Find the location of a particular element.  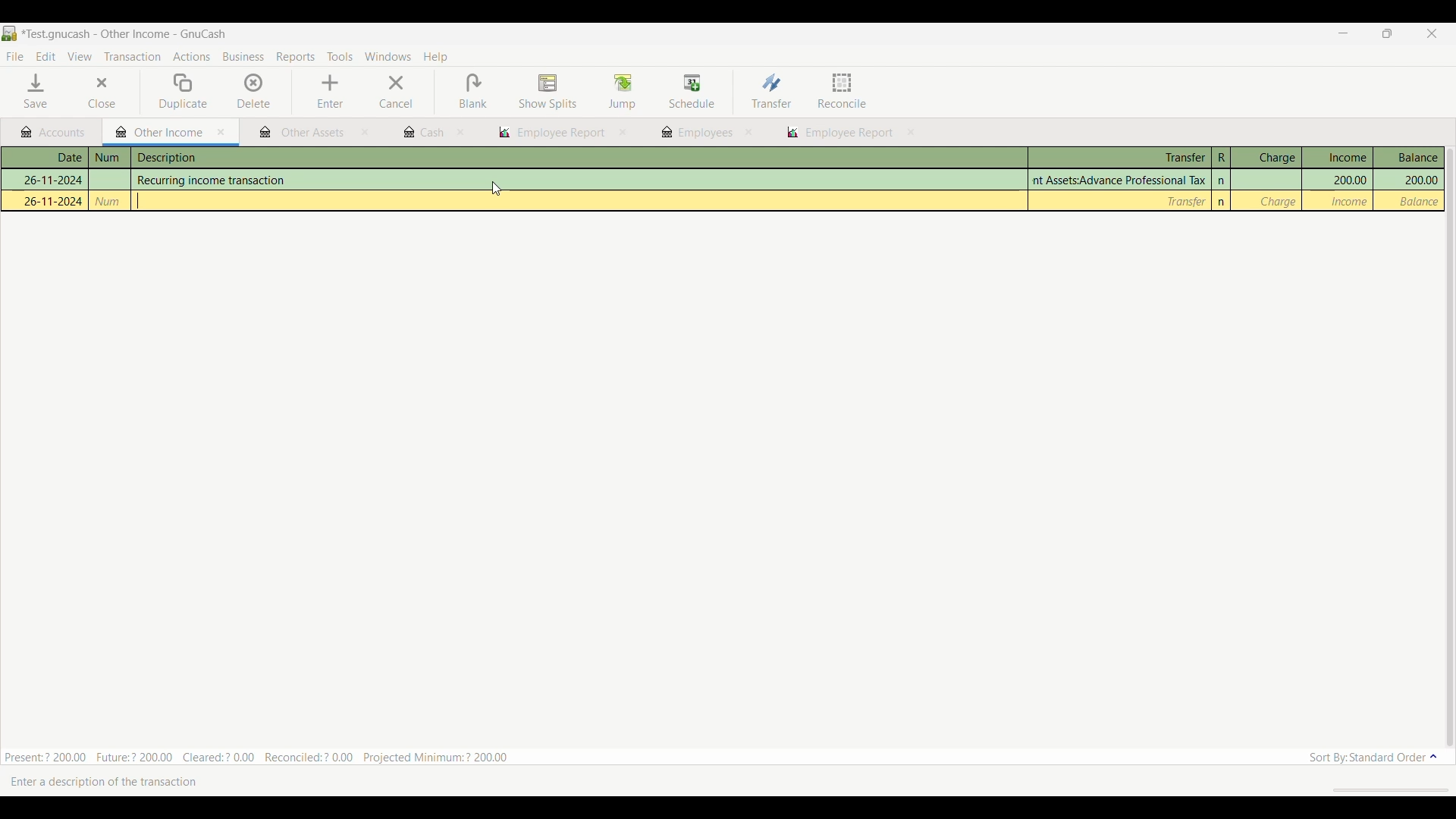

Reports menu is located at coordinates (297, 57).